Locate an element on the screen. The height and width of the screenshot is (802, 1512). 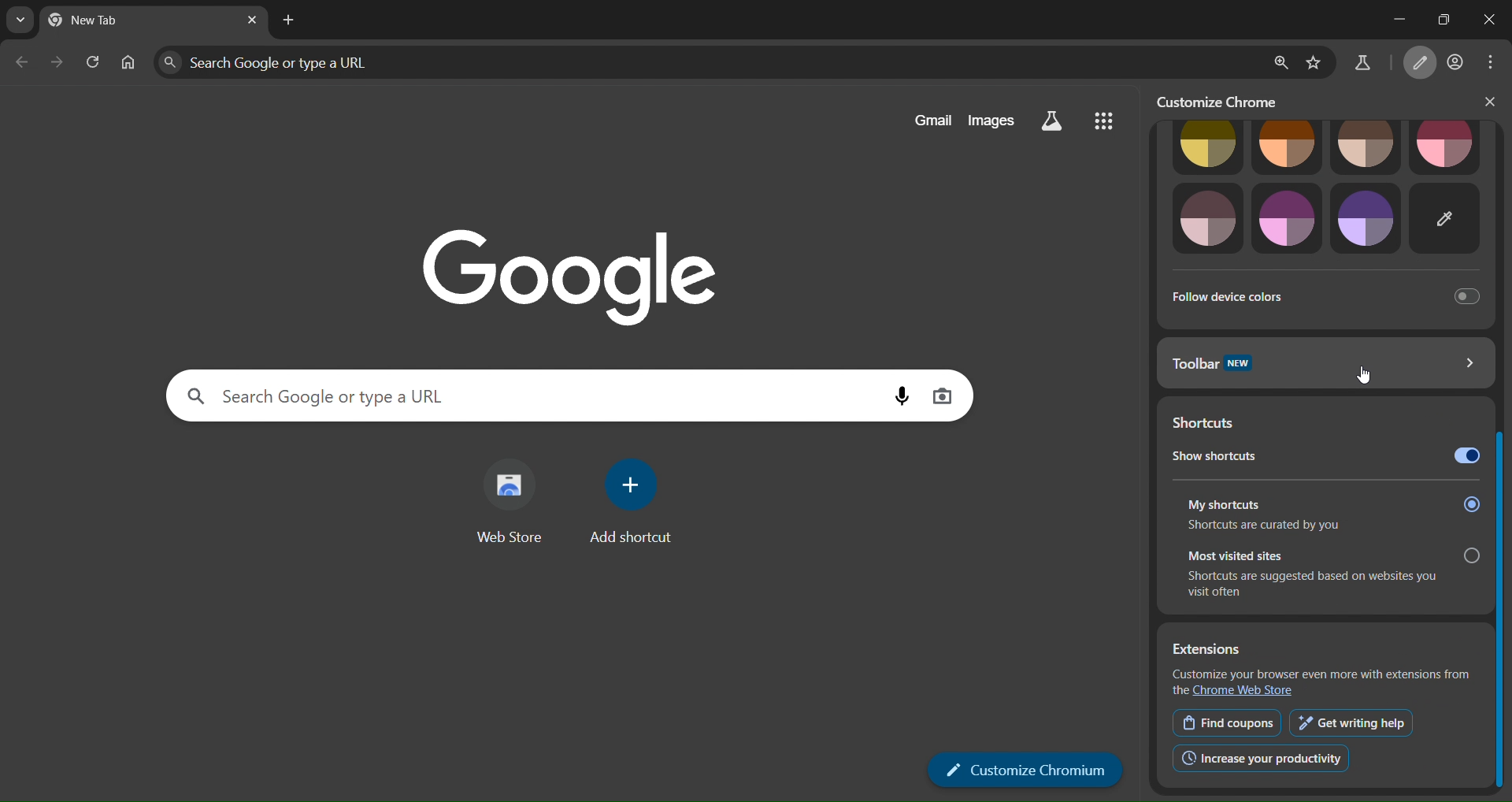
customize chrome is located at coordinates (1227, 100).